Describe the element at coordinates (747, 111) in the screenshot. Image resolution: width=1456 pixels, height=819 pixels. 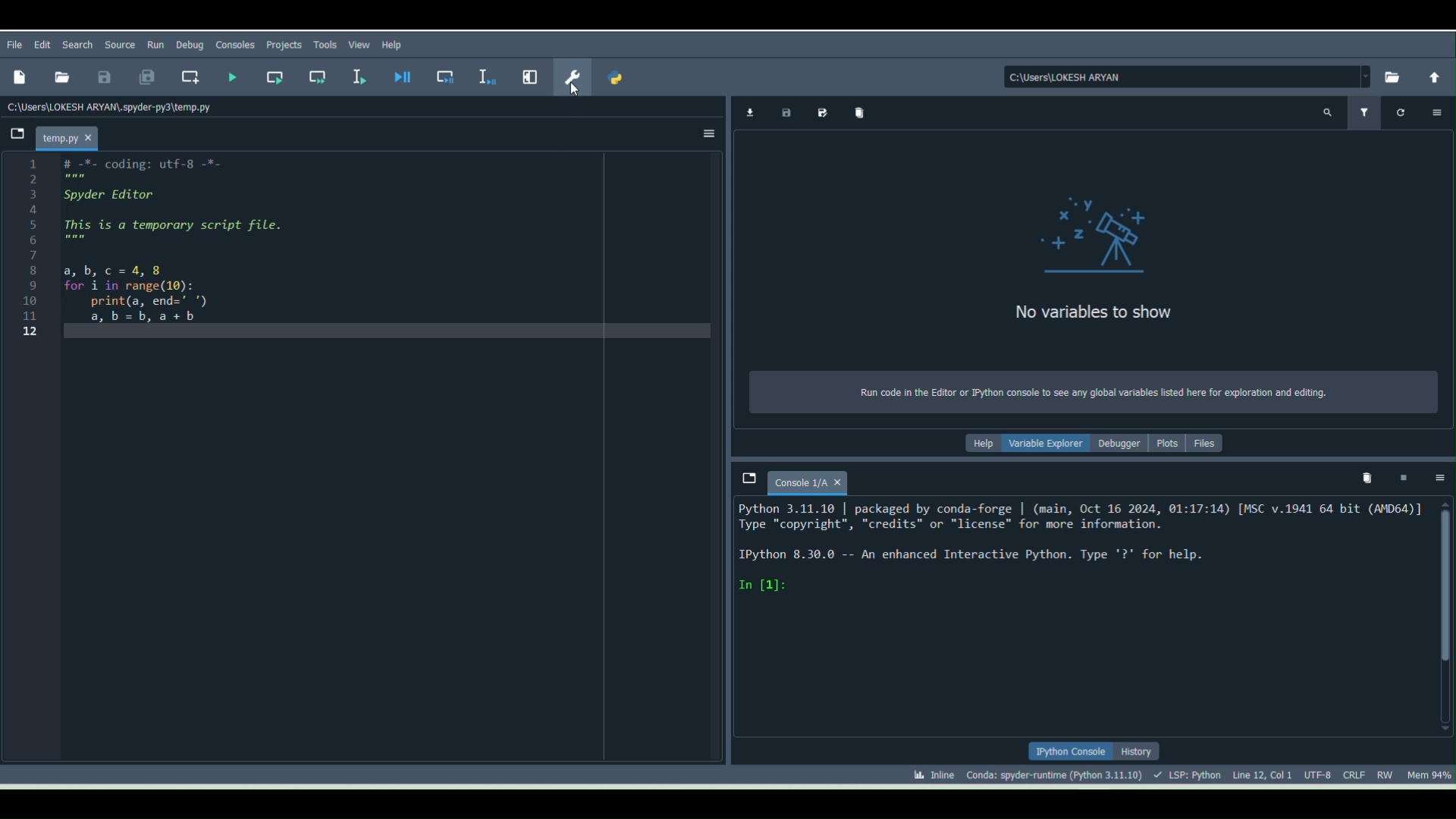
I see `Import data` at that location.